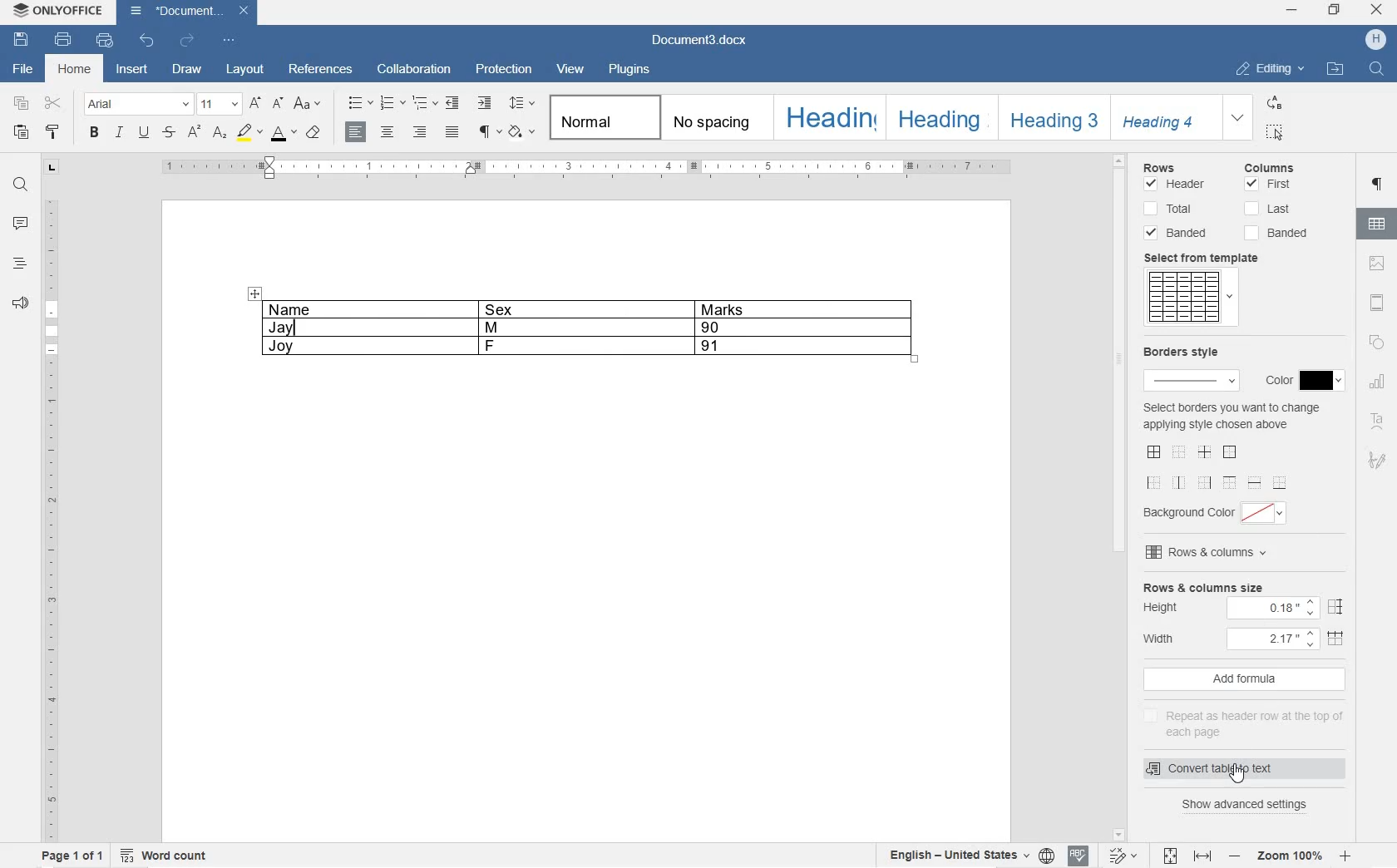 The height and width of the screenshot is (868, 1397). I want to click on PARAGRAPH LINE SPACING, so click(521, 104).